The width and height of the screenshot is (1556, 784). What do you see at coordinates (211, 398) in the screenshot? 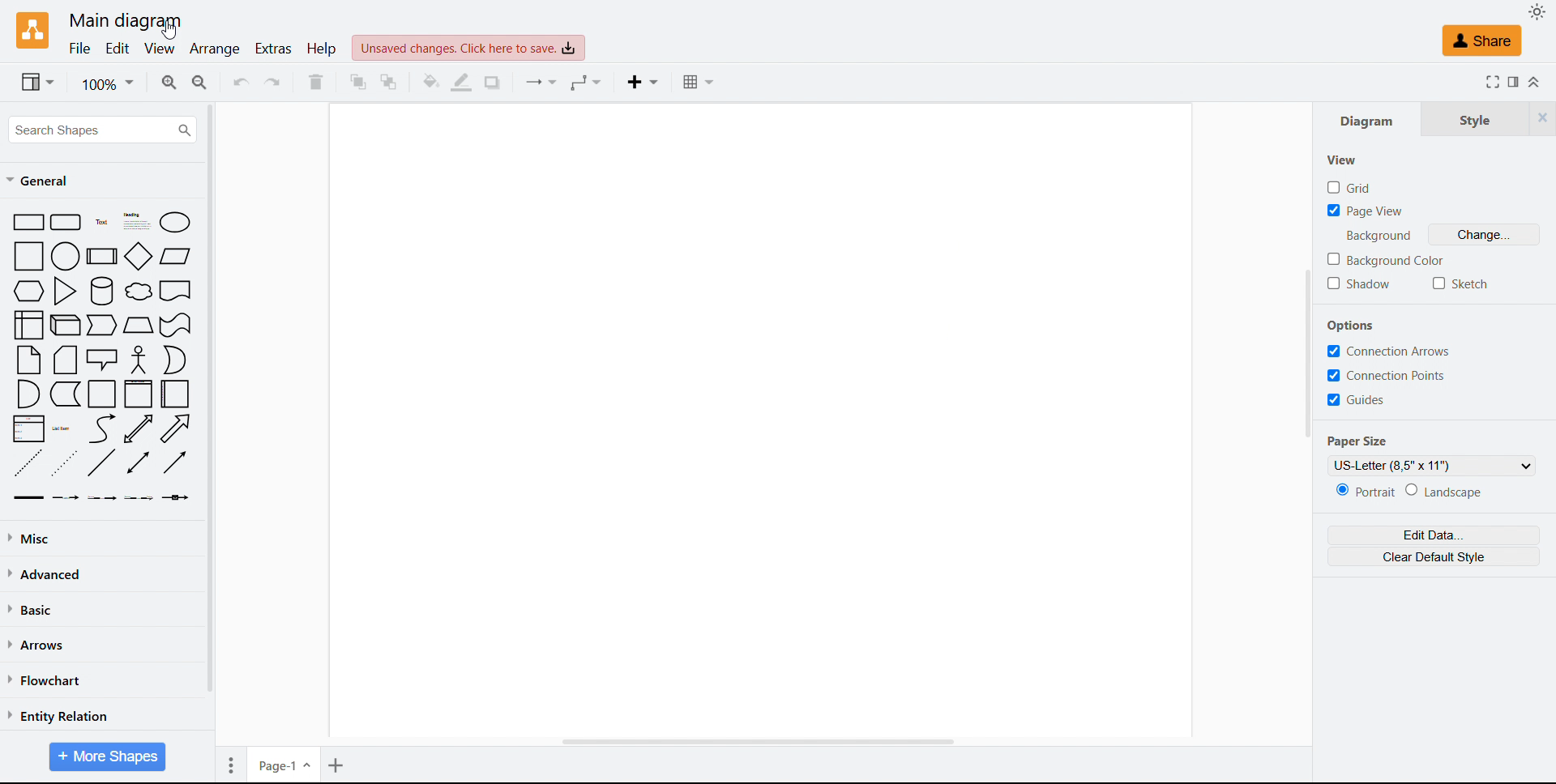
I see `Scroll bar ` at bounding box center [211, 398].